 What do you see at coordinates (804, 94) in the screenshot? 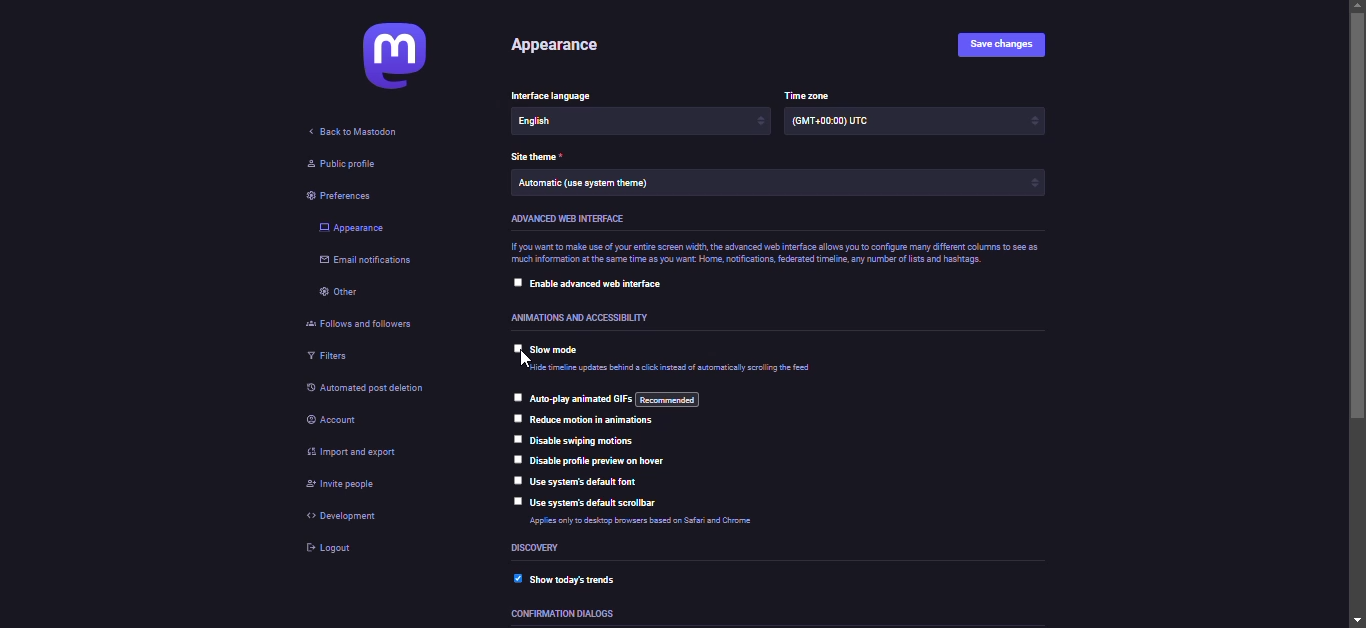
I see `time zone` at bounding box center [804, 94].